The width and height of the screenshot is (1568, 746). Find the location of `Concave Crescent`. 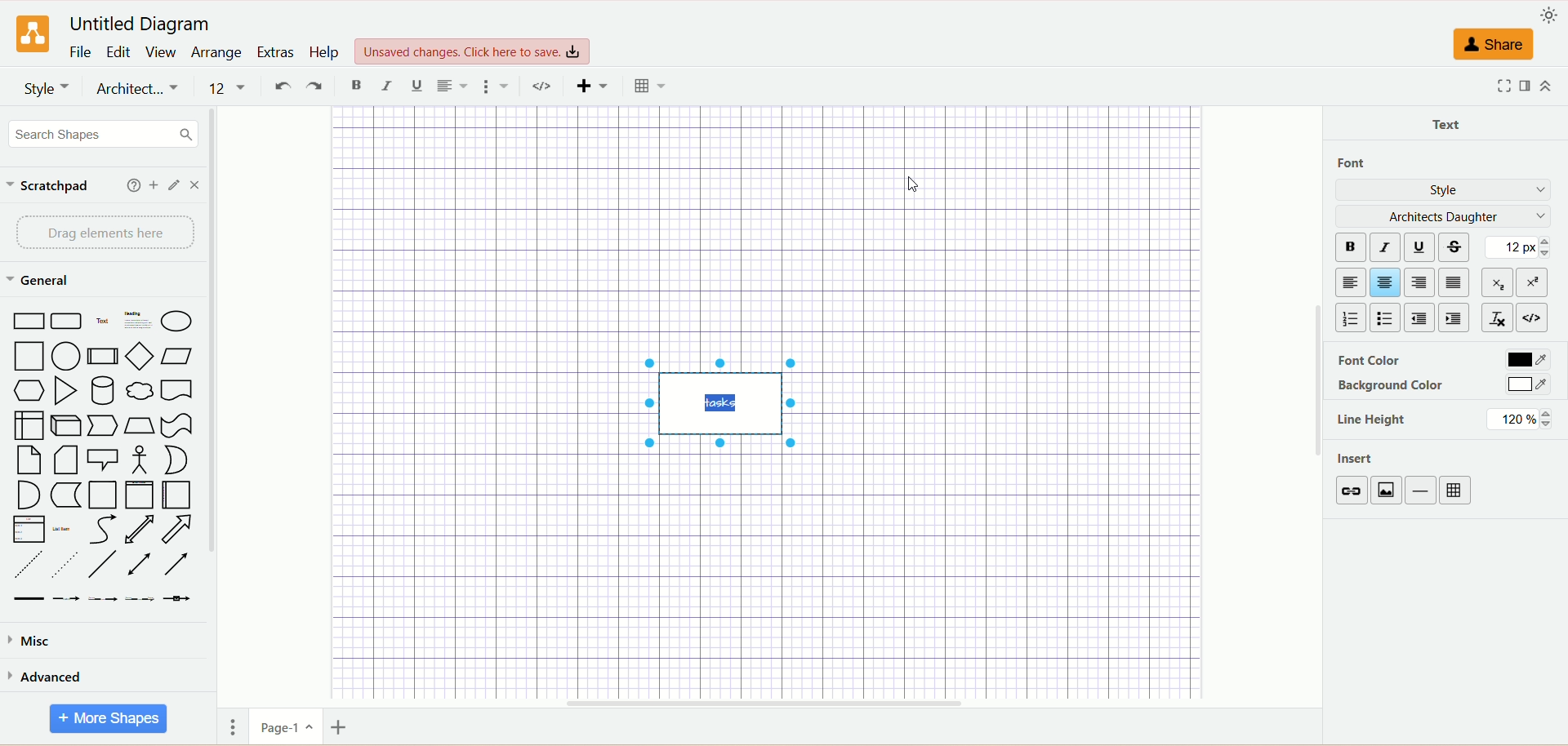

Concave Crescent is located at coordinates (175, 460).